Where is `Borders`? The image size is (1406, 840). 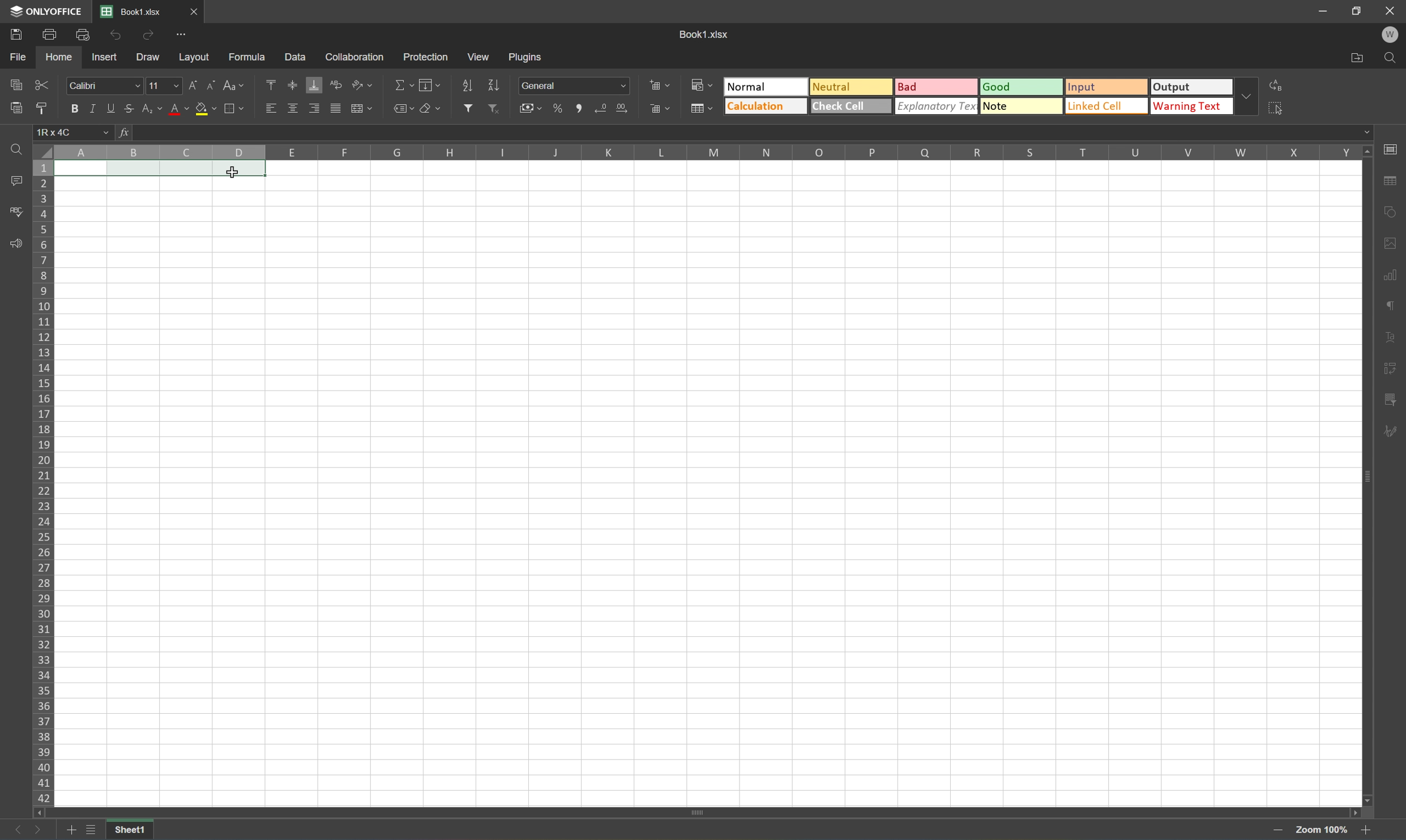
Borders is located at coordinates (238, 108).